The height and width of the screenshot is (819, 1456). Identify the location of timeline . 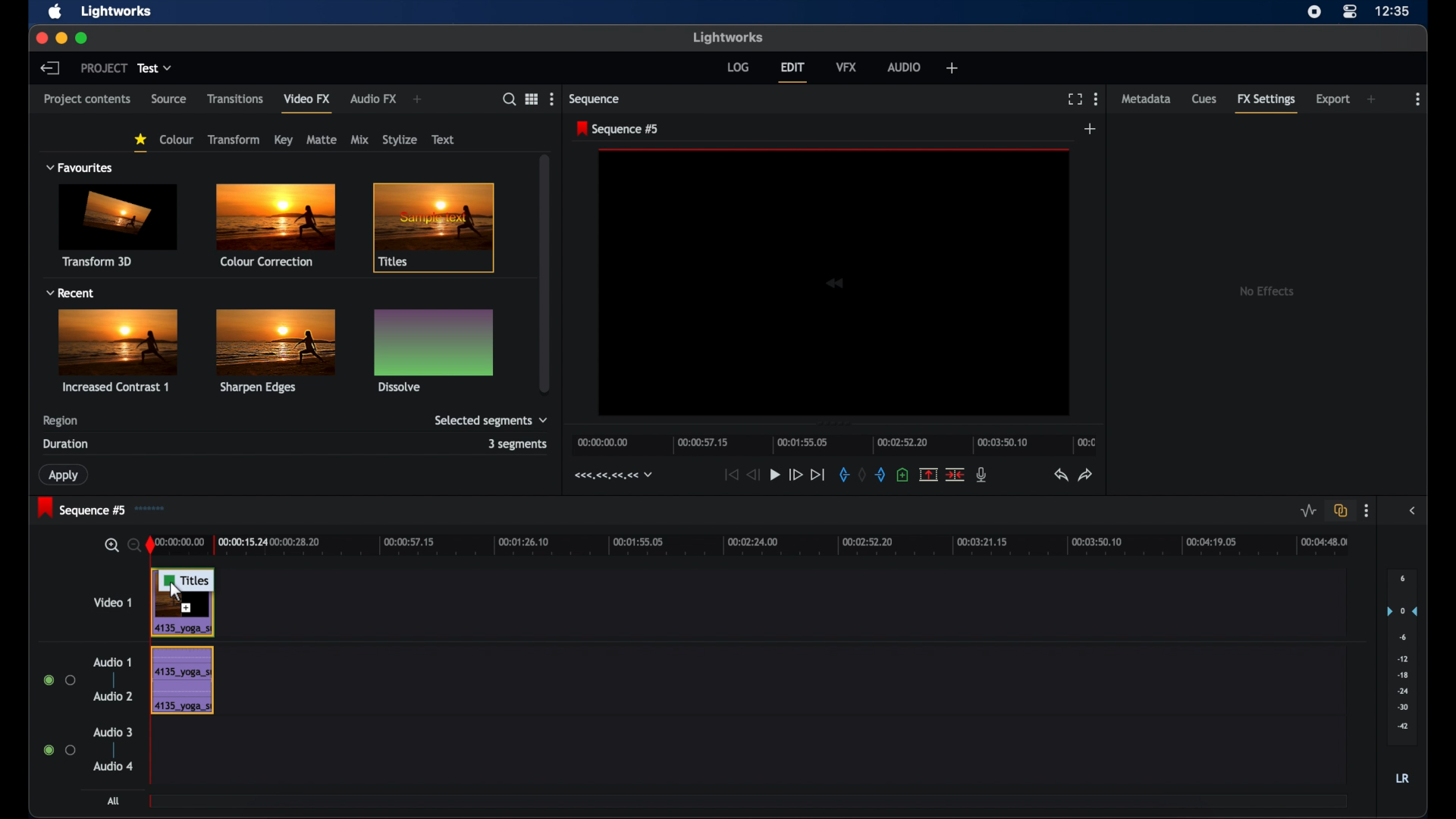
(750, 544).